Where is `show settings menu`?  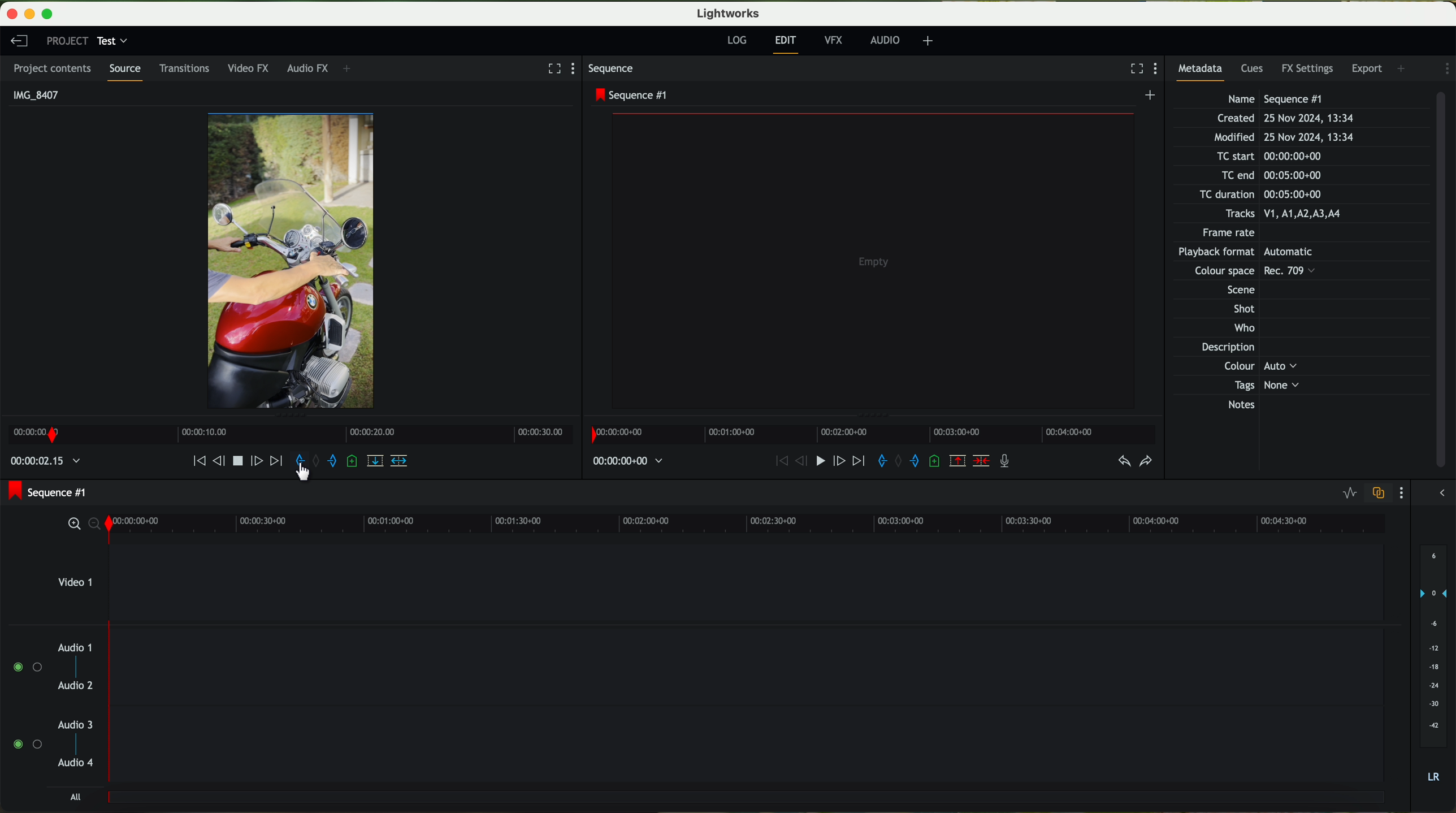
show settings menu is located at coordinates (1445, 68).